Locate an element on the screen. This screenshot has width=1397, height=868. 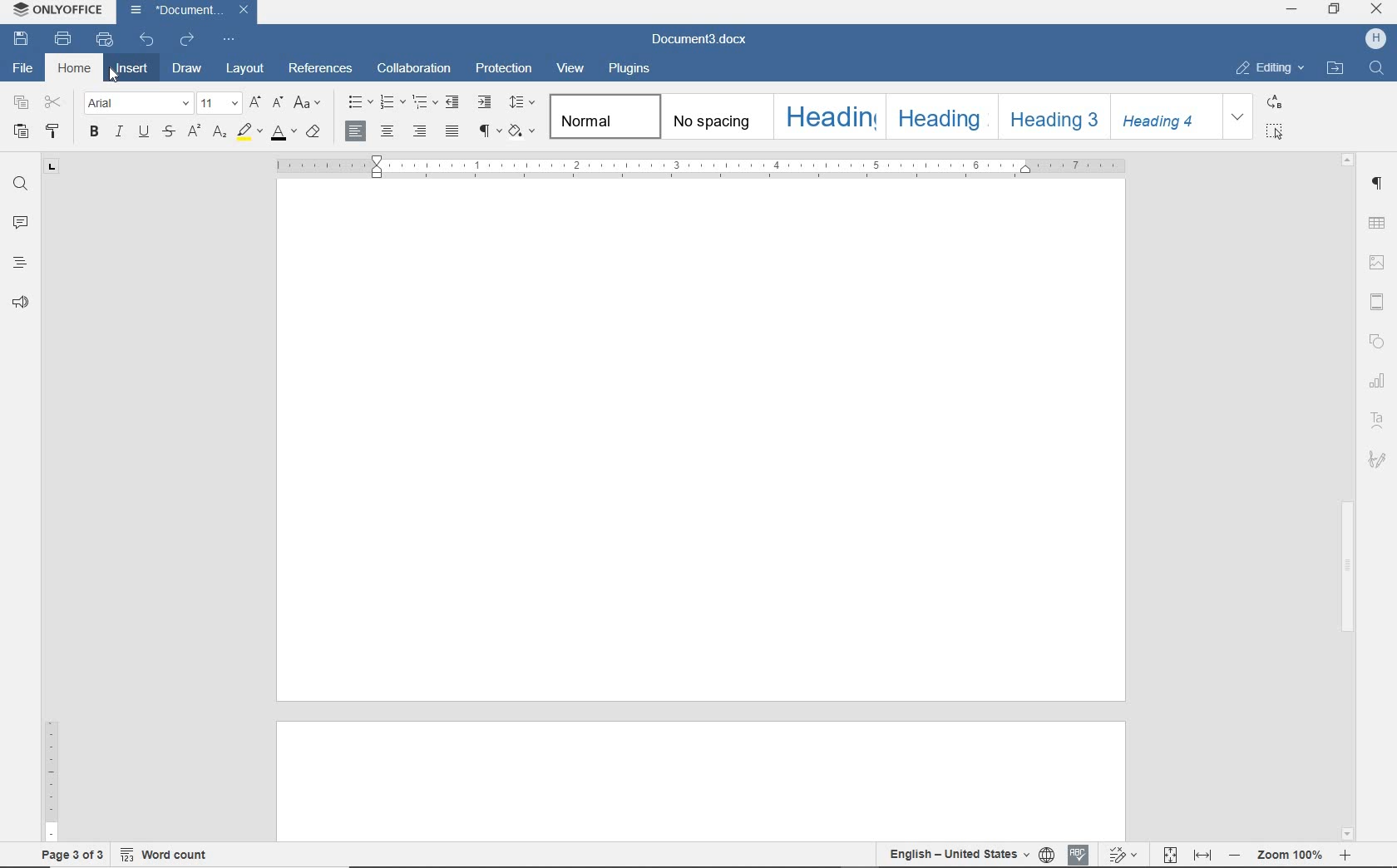
OnlyOffice is located at coordinates (56, 11).